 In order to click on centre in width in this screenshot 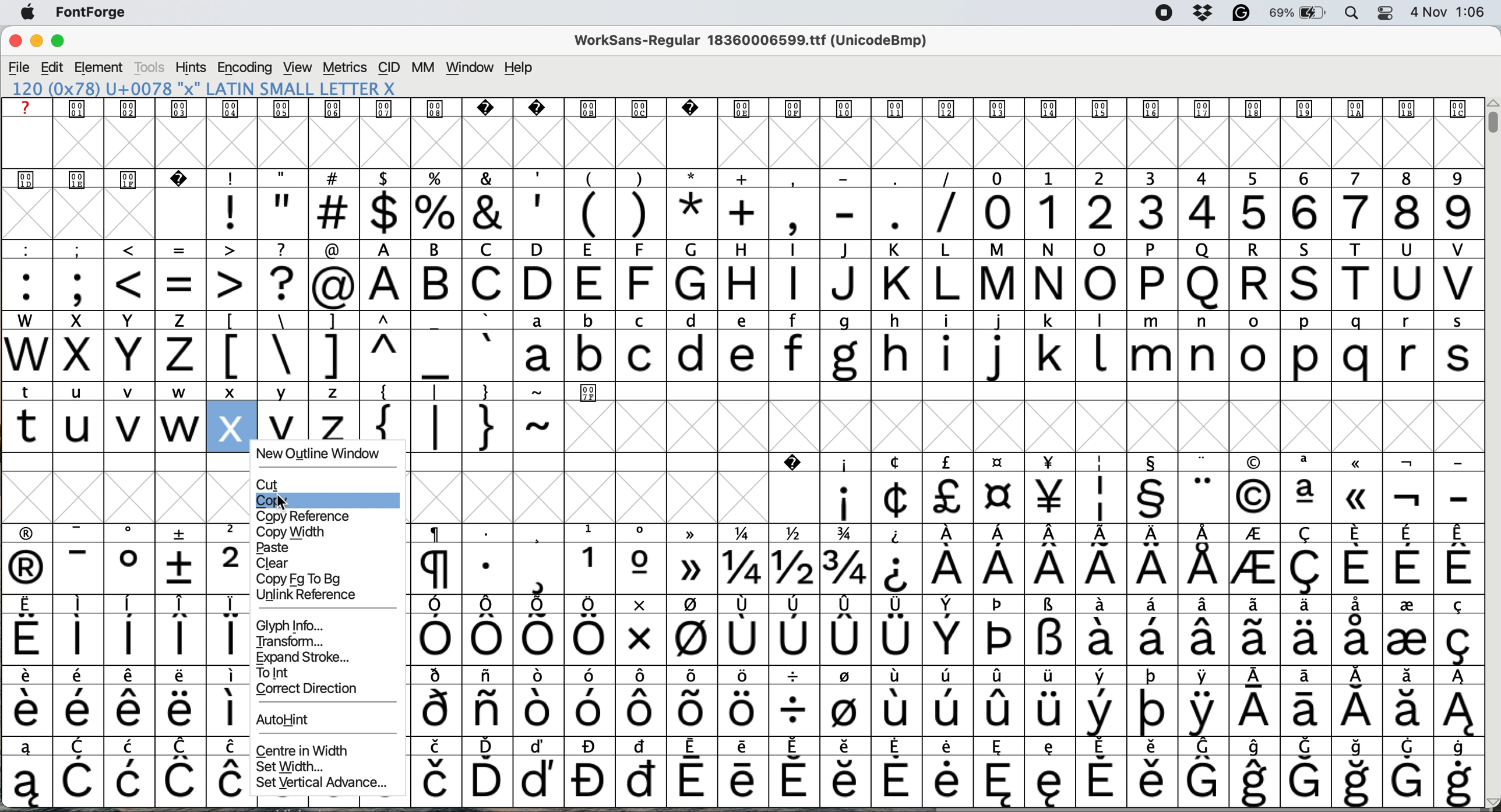, I will do `click(309, 749)`.